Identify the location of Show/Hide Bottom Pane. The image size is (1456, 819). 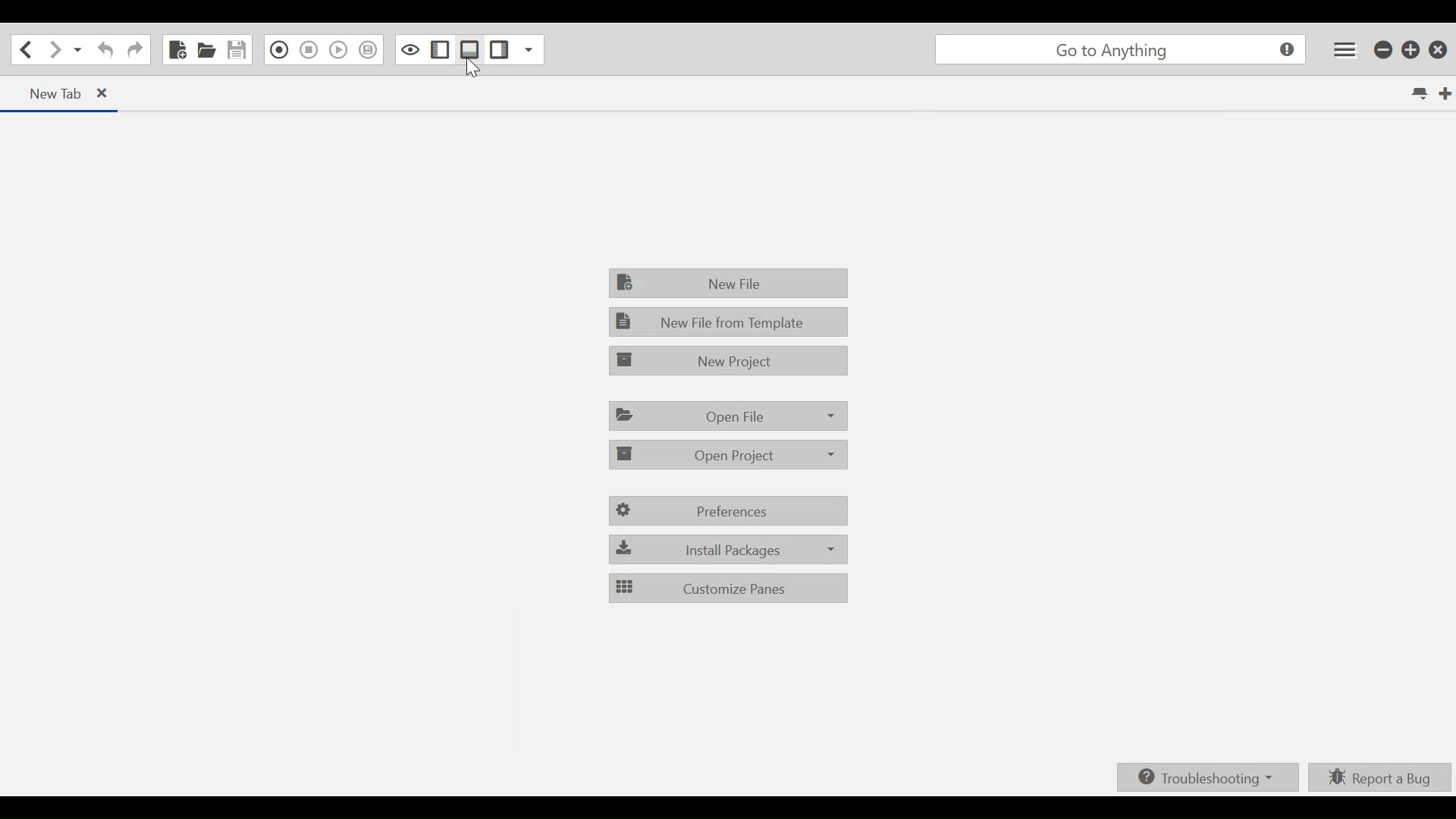
(471, 50).